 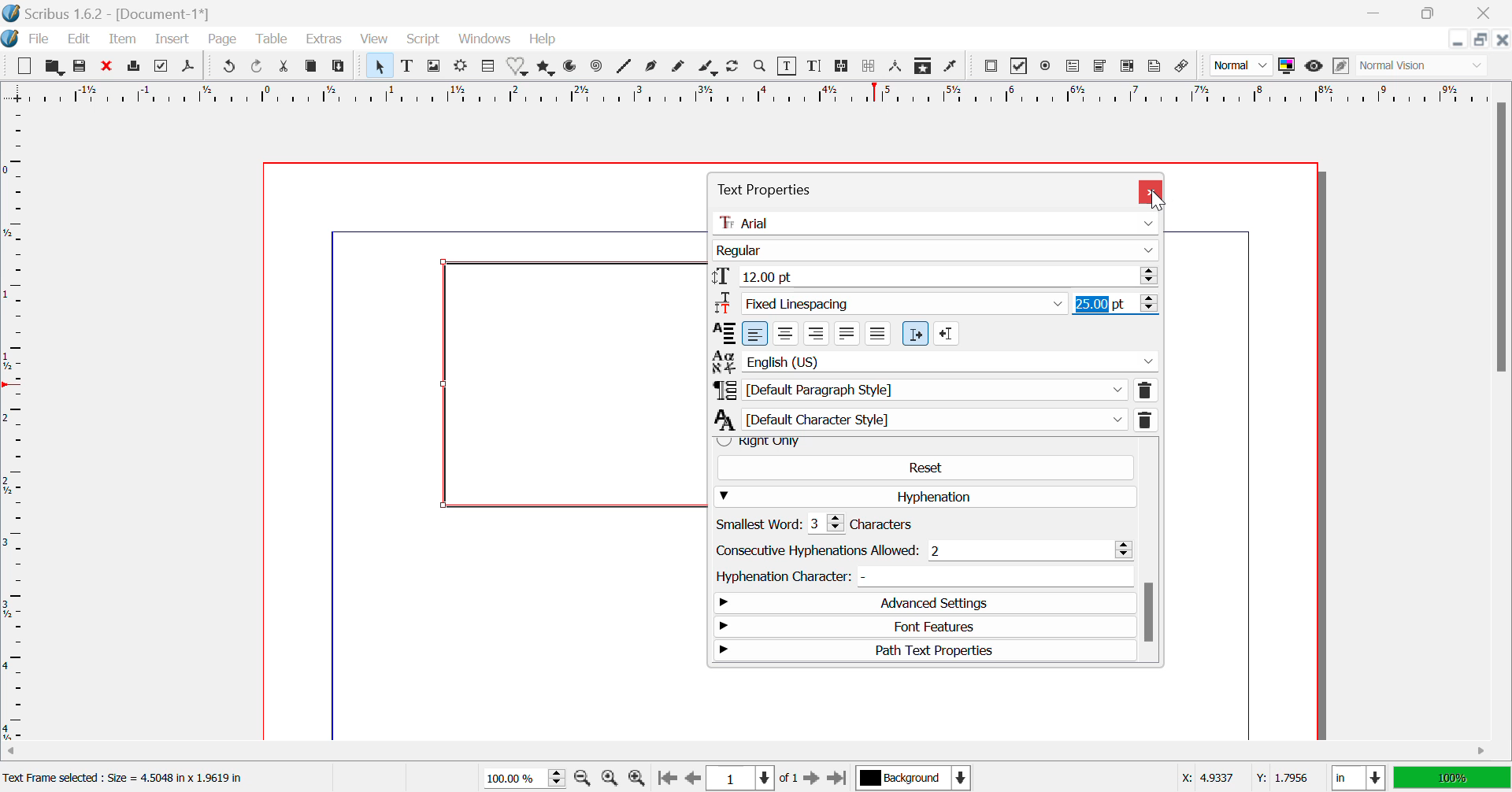 I want to click on Right align, so click(x=816, y=333).